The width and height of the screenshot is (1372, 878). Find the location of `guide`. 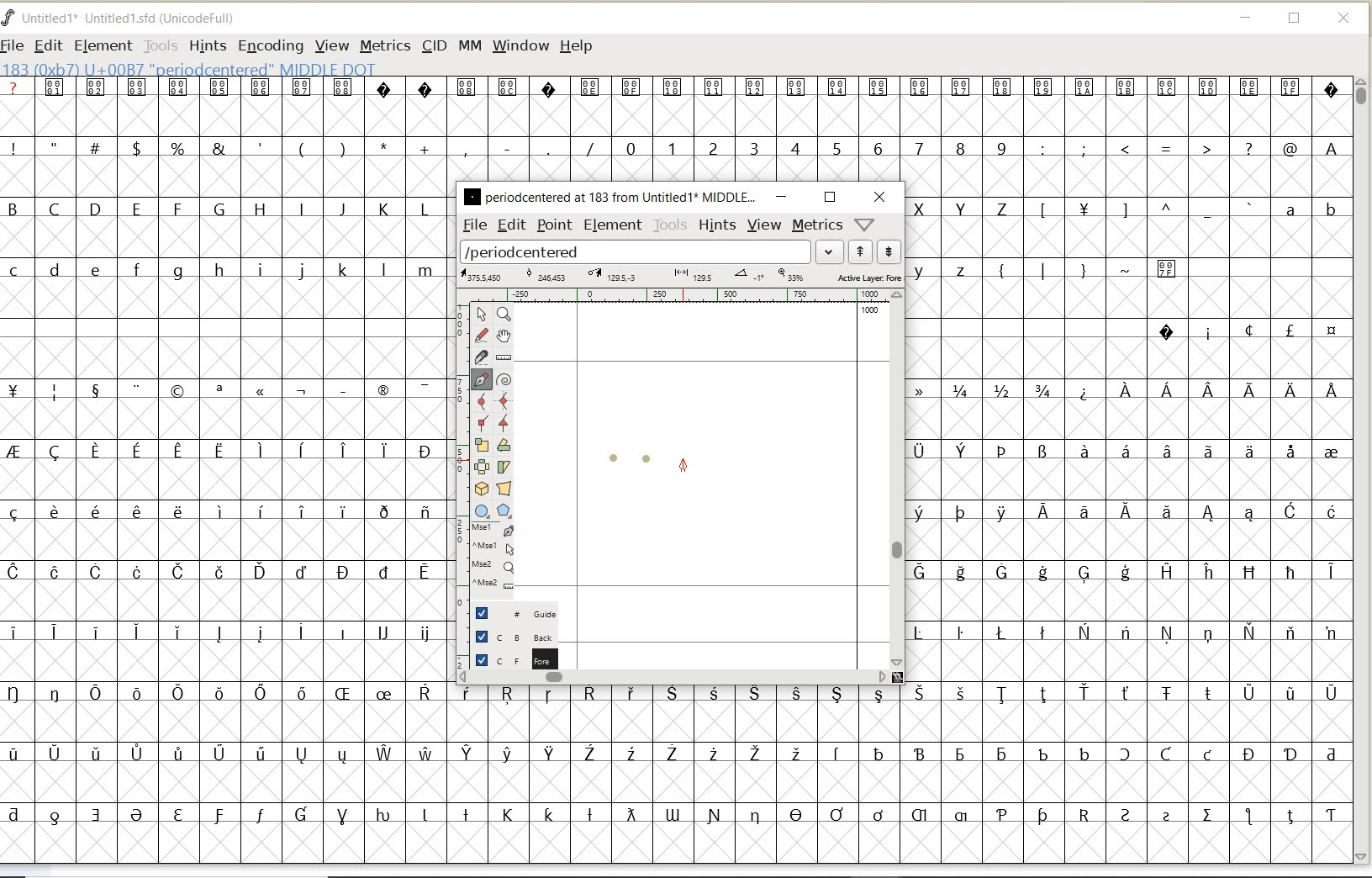

guide is located at coordinates (510, 614).